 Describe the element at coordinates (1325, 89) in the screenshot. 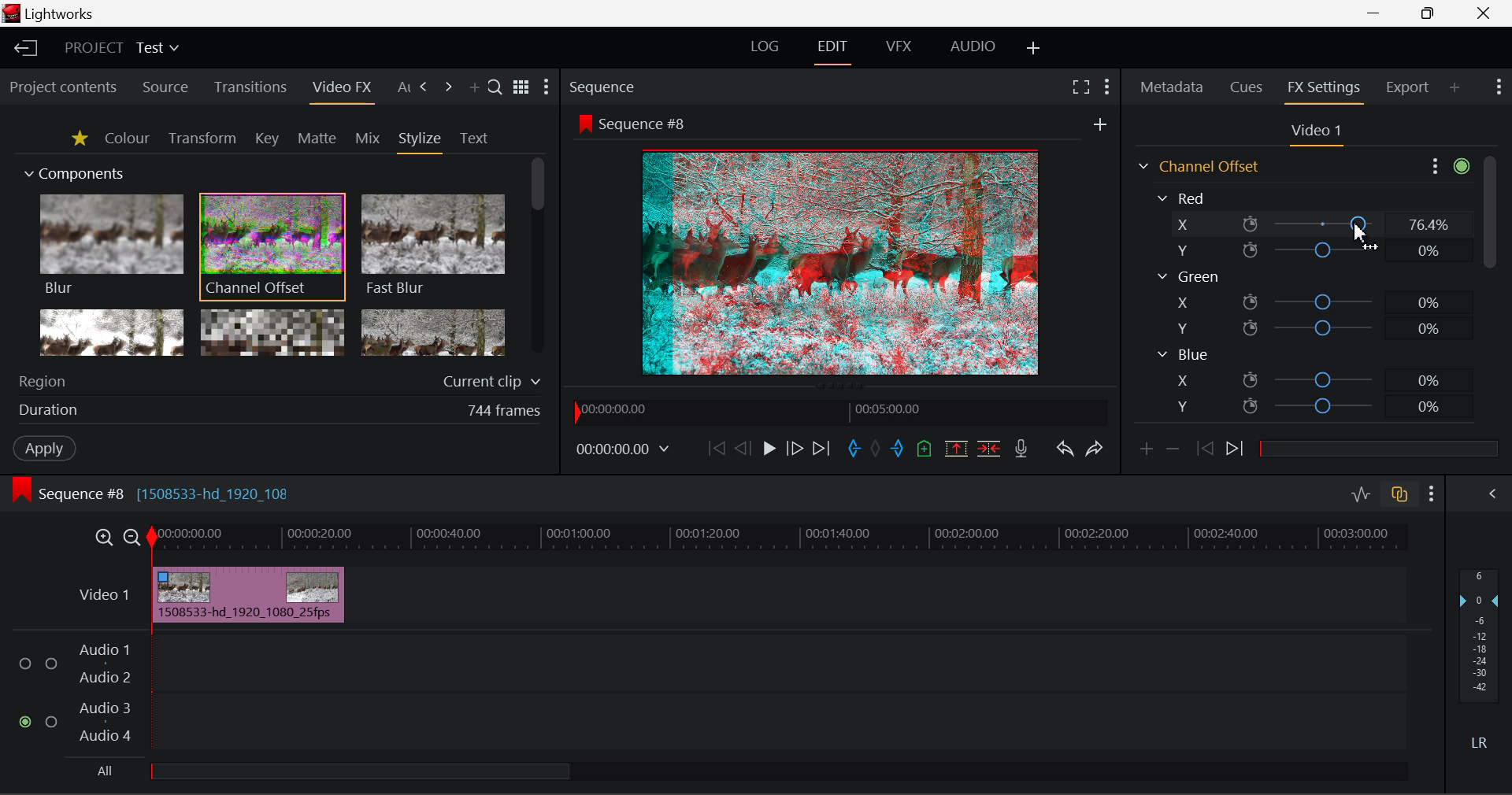

I see `FX Settings` at that location.